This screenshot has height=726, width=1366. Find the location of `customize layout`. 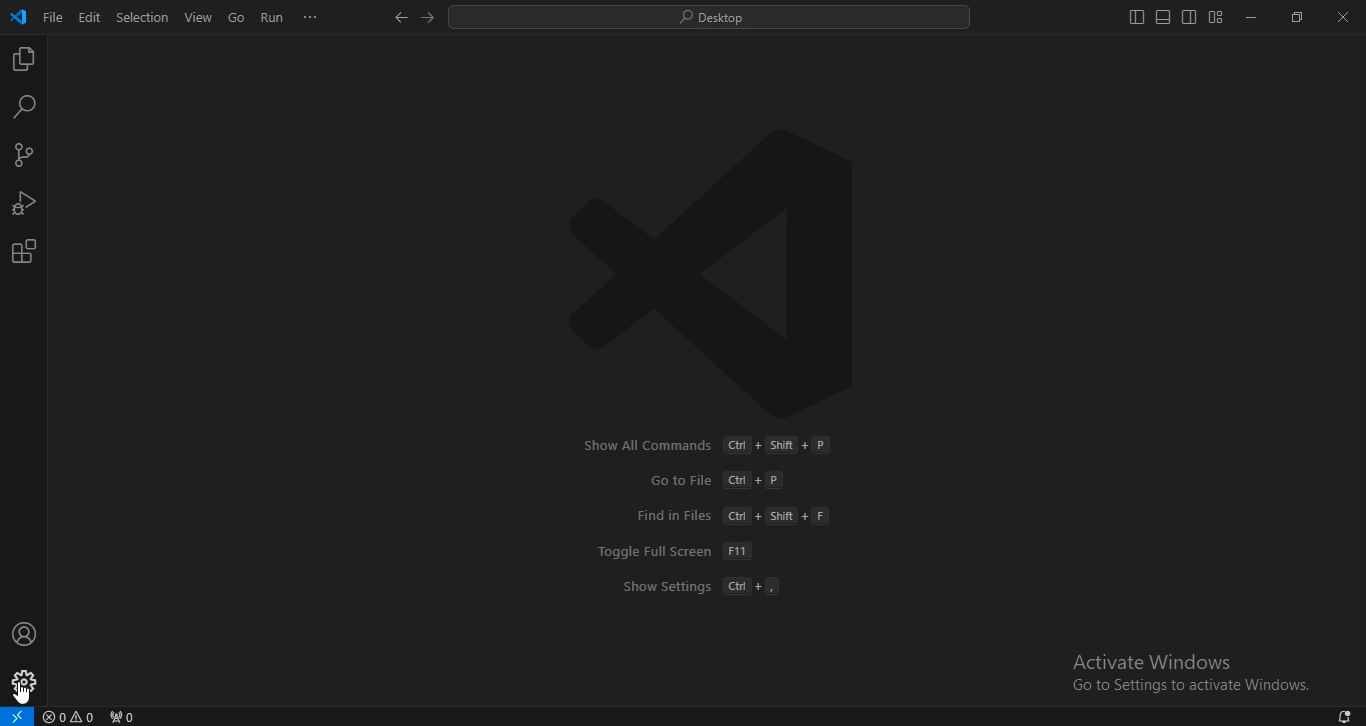

customize layout is located at coordinates (1216, 16).